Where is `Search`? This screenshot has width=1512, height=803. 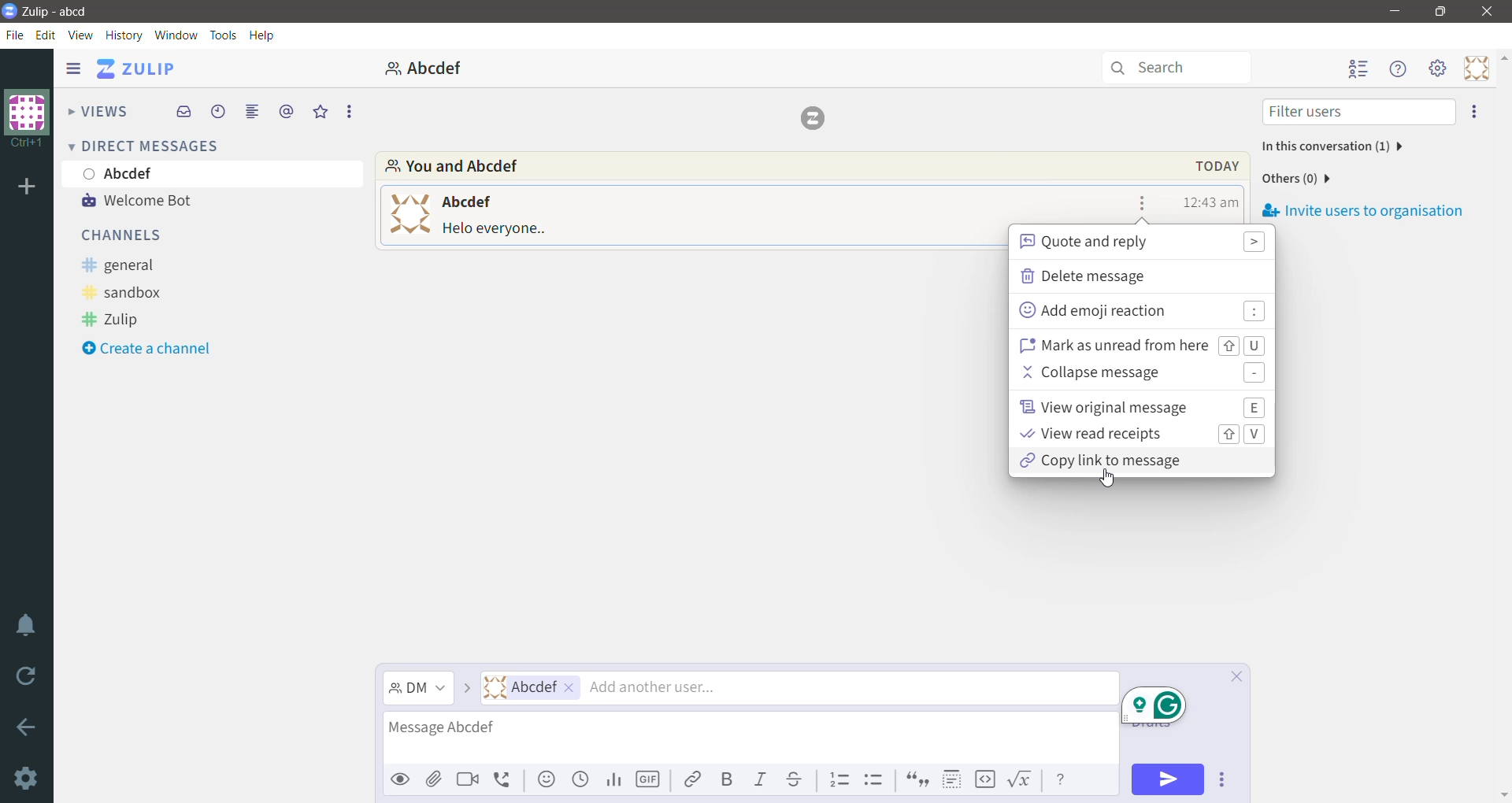 Search is located at coordinates (1176, 68).